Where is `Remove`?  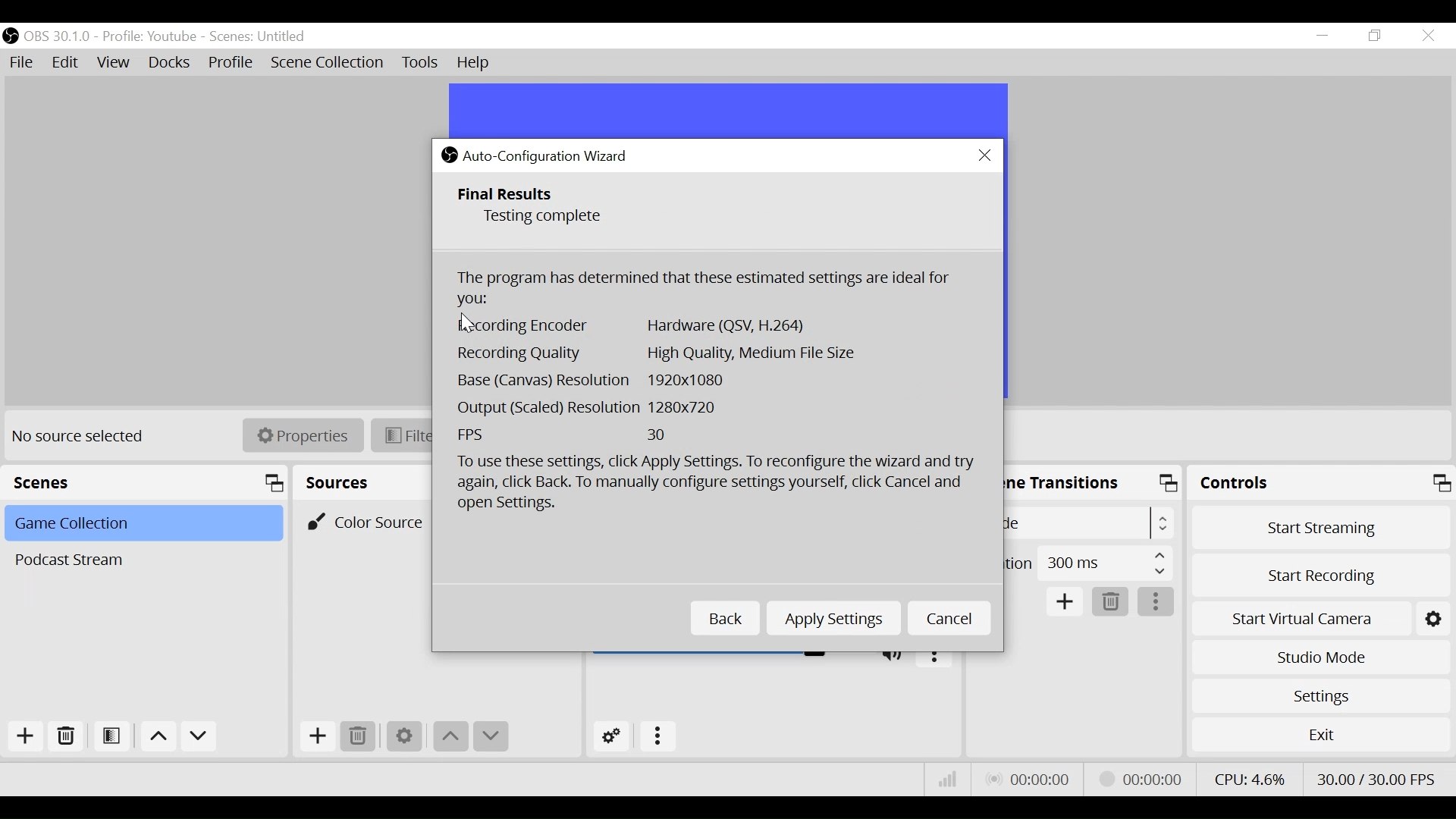 Remove is located at coordinates (360, 737).